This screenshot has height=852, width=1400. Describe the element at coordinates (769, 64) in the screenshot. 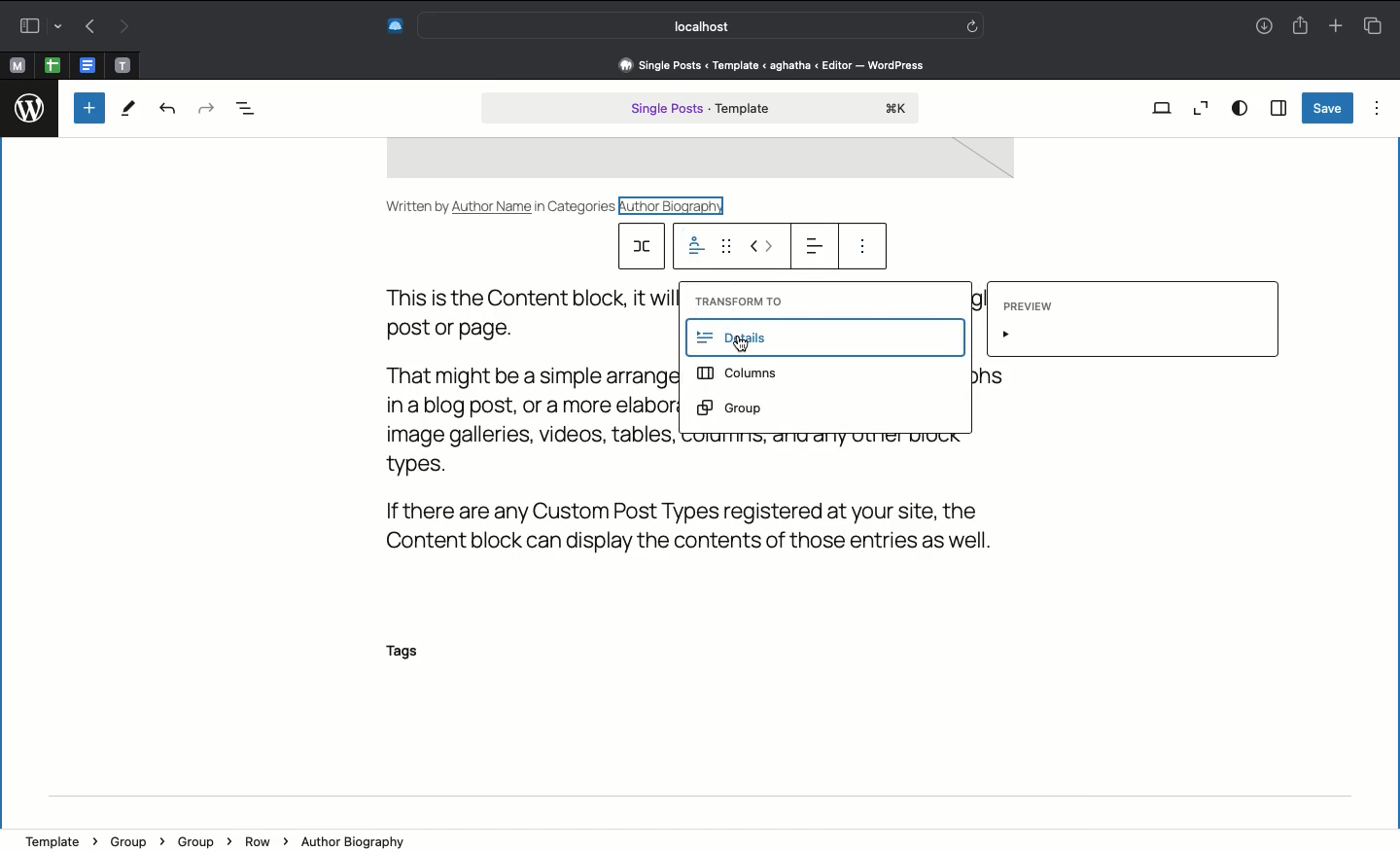

I see `Address` at that location.